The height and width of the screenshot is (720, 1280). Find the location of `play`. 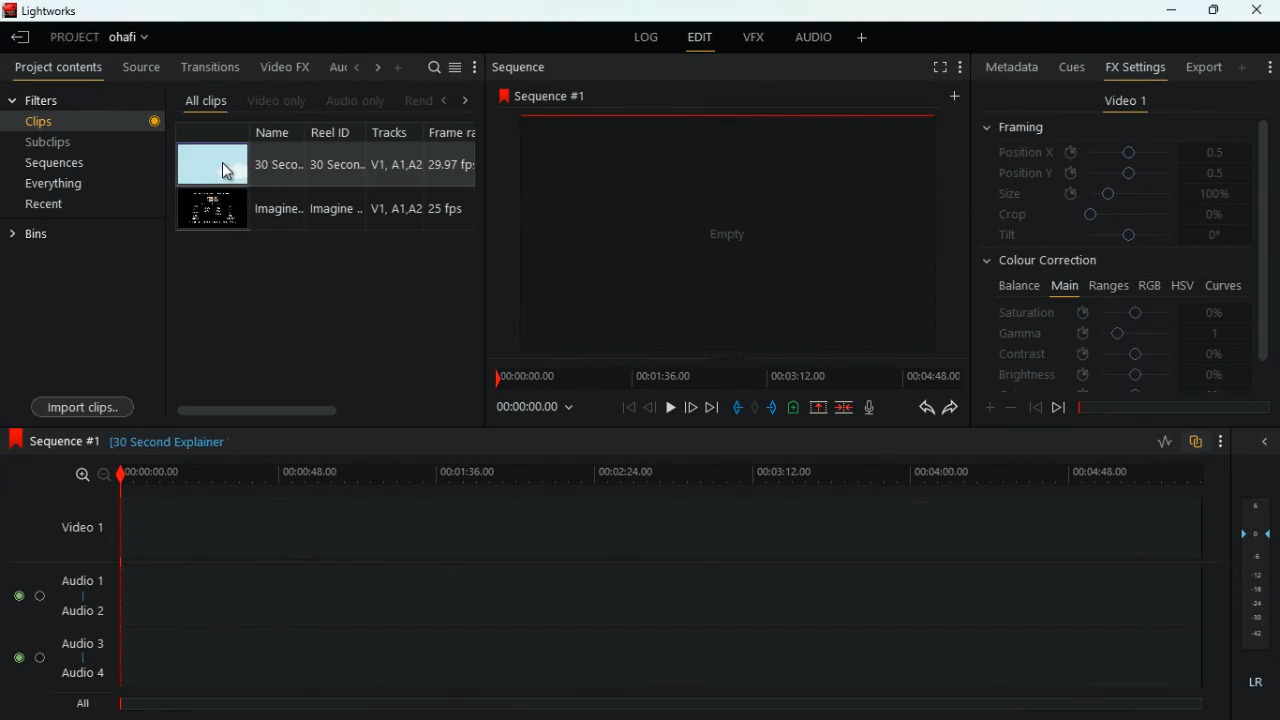

play is located at coordinates (670, 406).